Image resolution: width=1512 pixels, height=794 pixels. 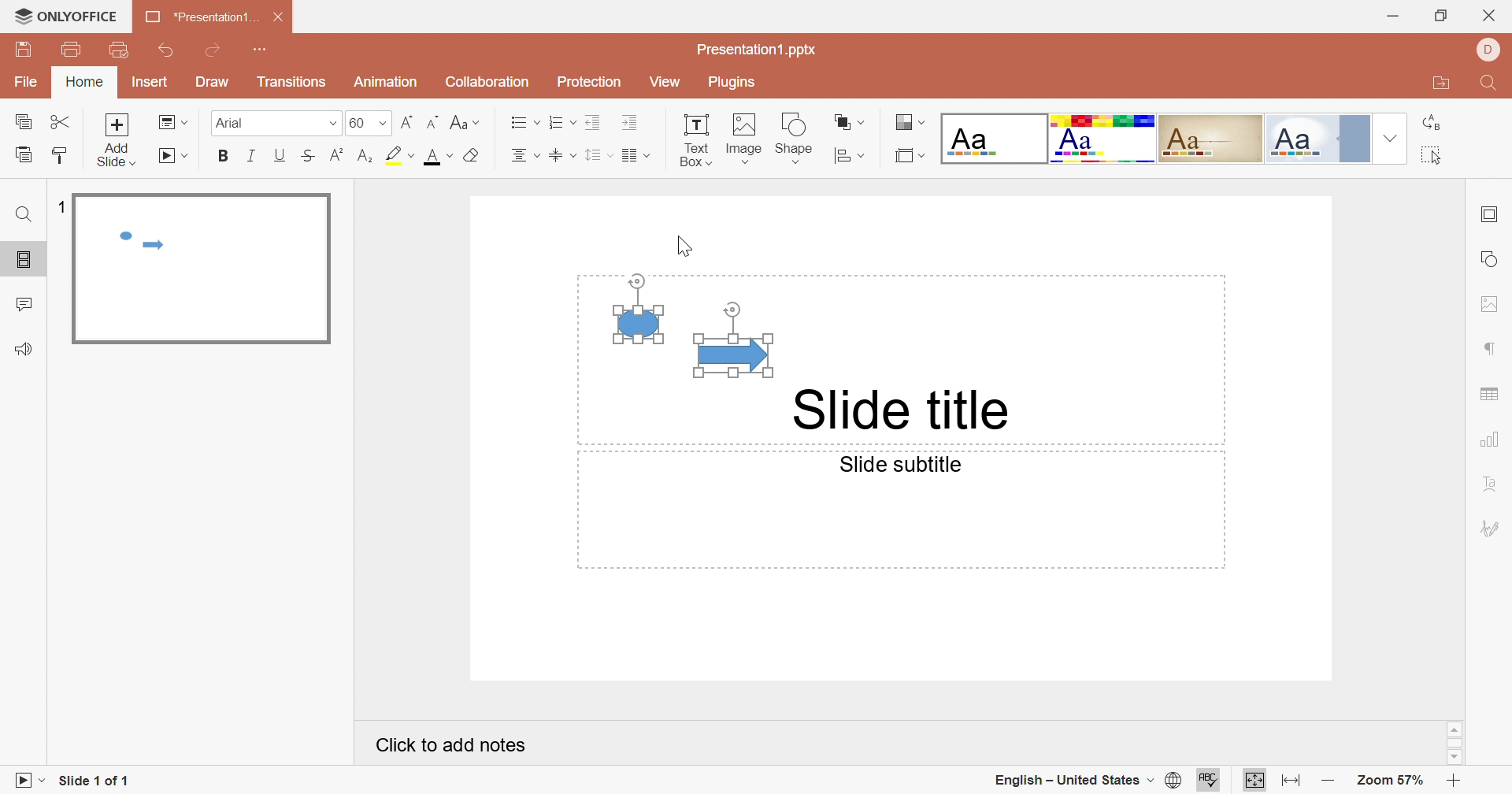 I want to click on Text Box, so click(x=698, y=141).